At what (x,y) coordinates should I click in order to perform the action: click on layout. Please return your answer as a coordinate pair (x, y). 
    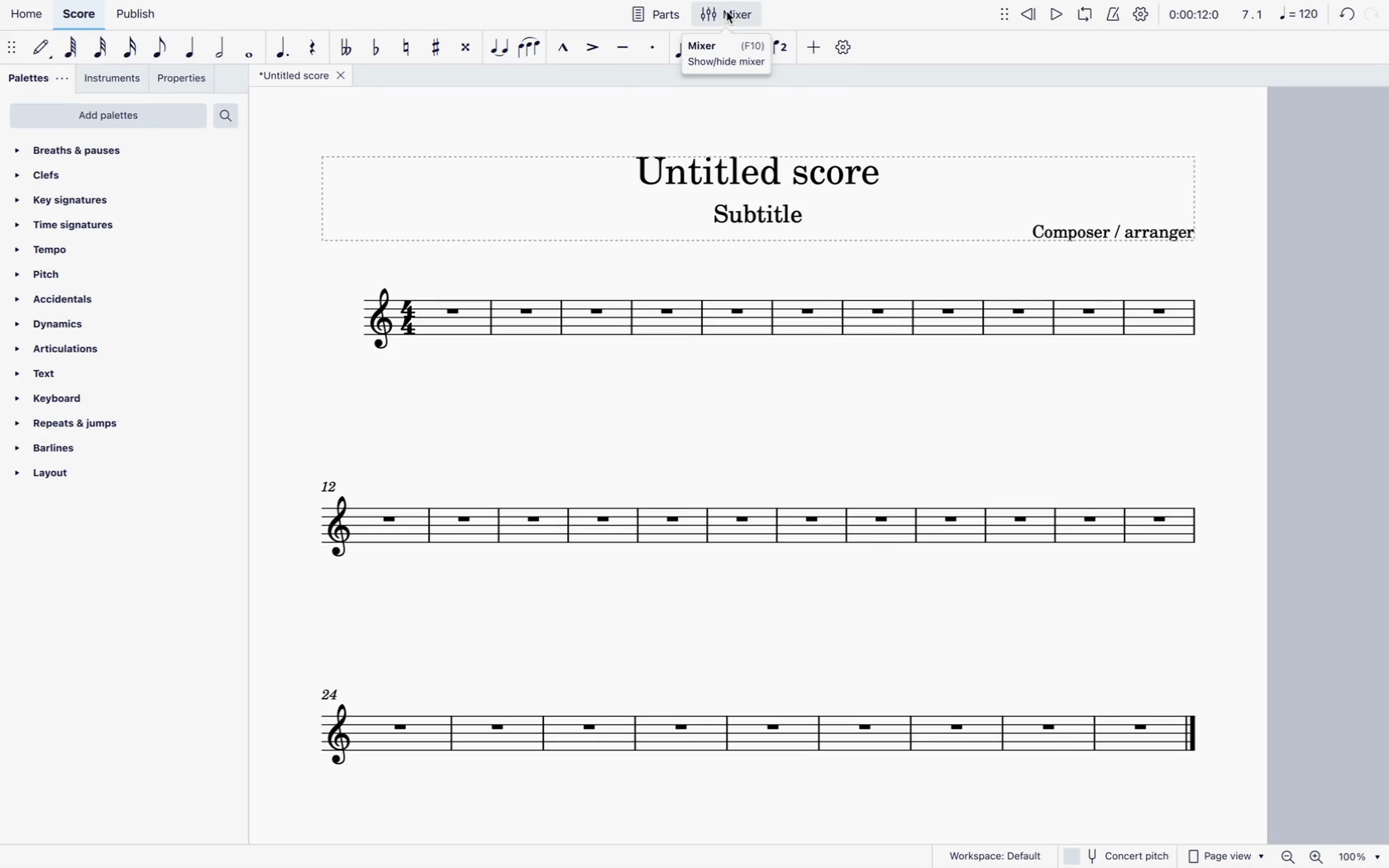
    Looking at the image, I should click on (71, 477).